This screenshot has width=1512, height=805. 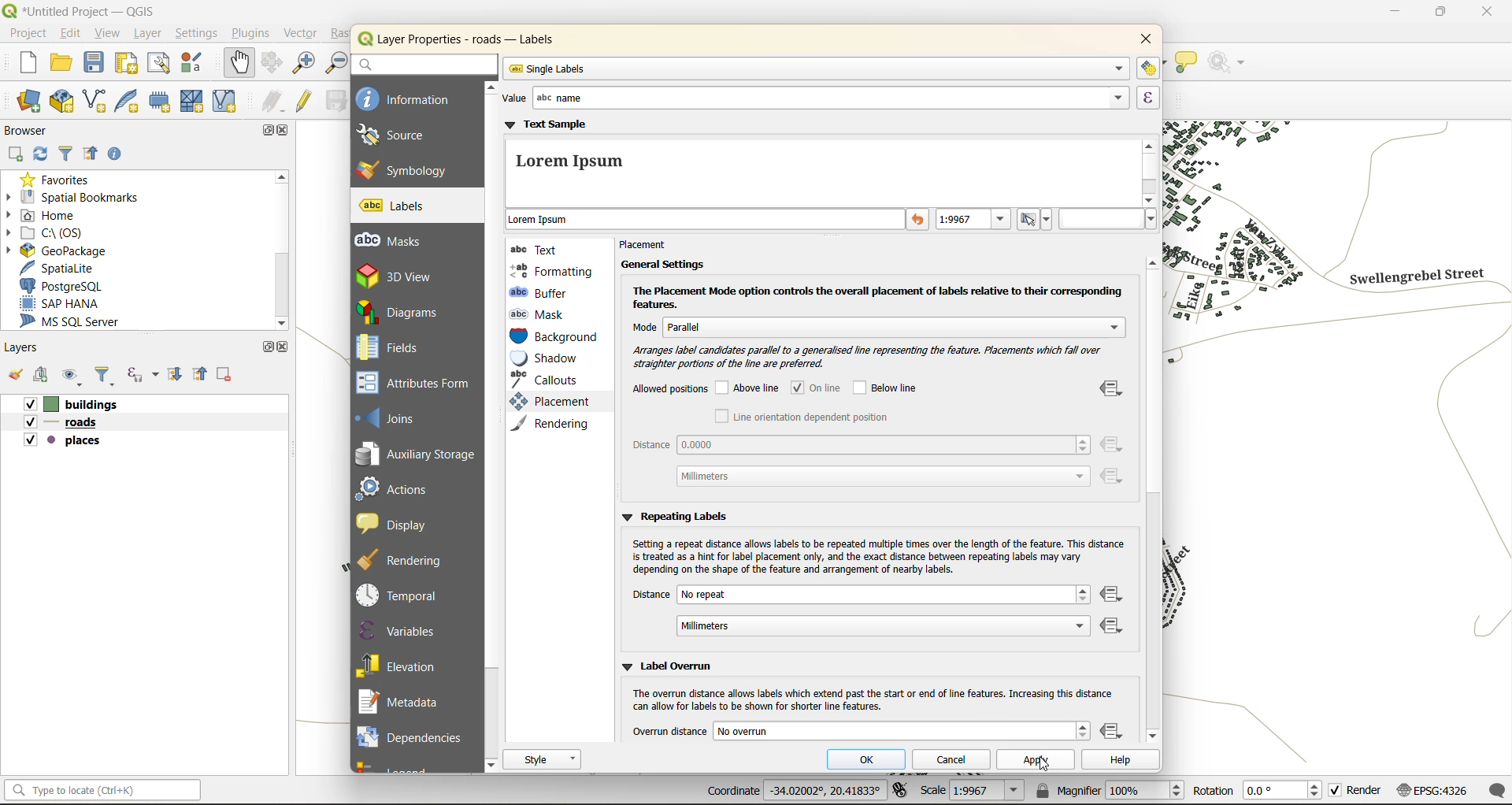 What do you see at coordinates (64, 63) in the screenshot?
I see `open` at bounding box center [64, 63].